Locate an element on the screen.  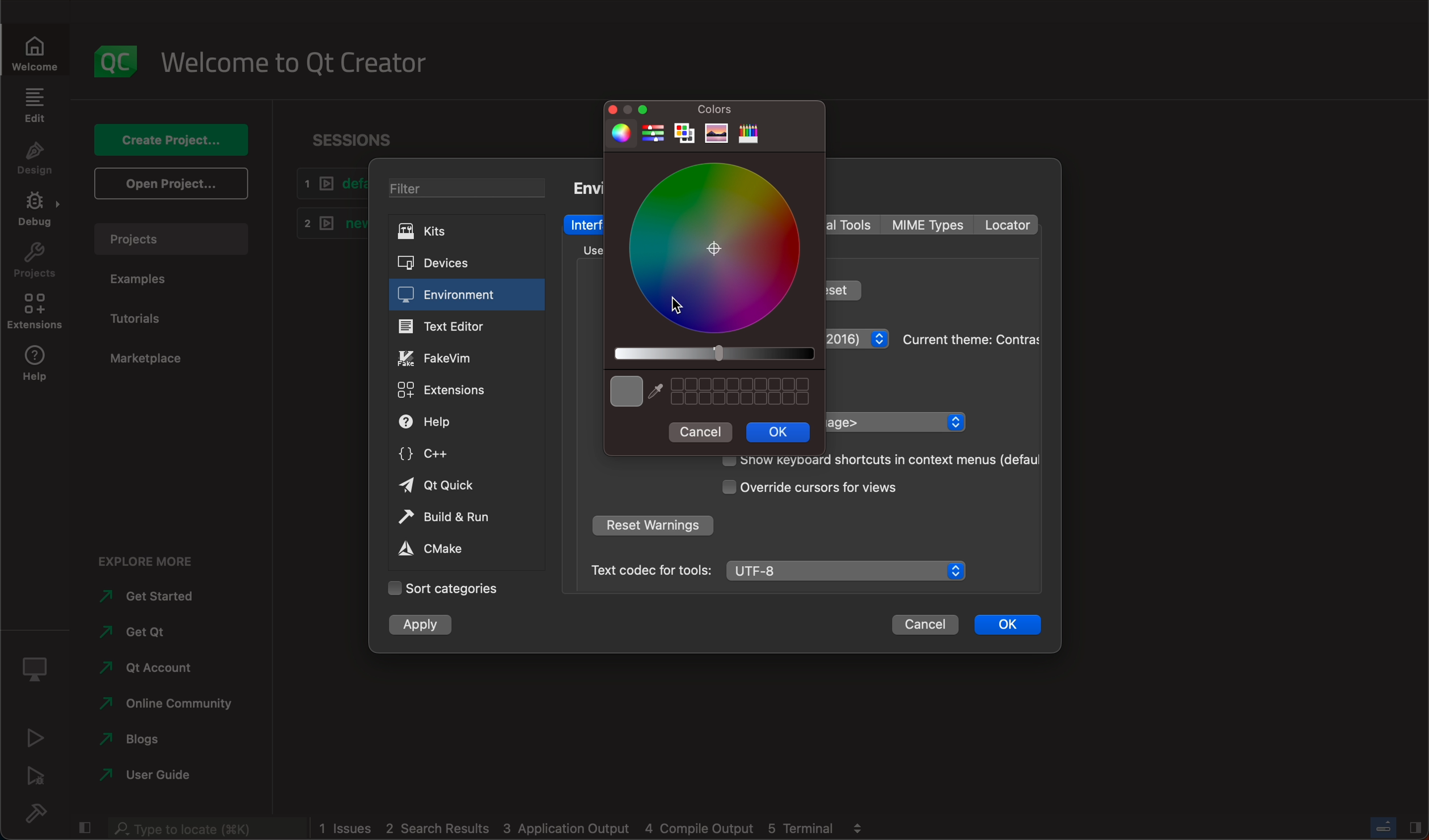
dropper is located at coordinates (657, 392).